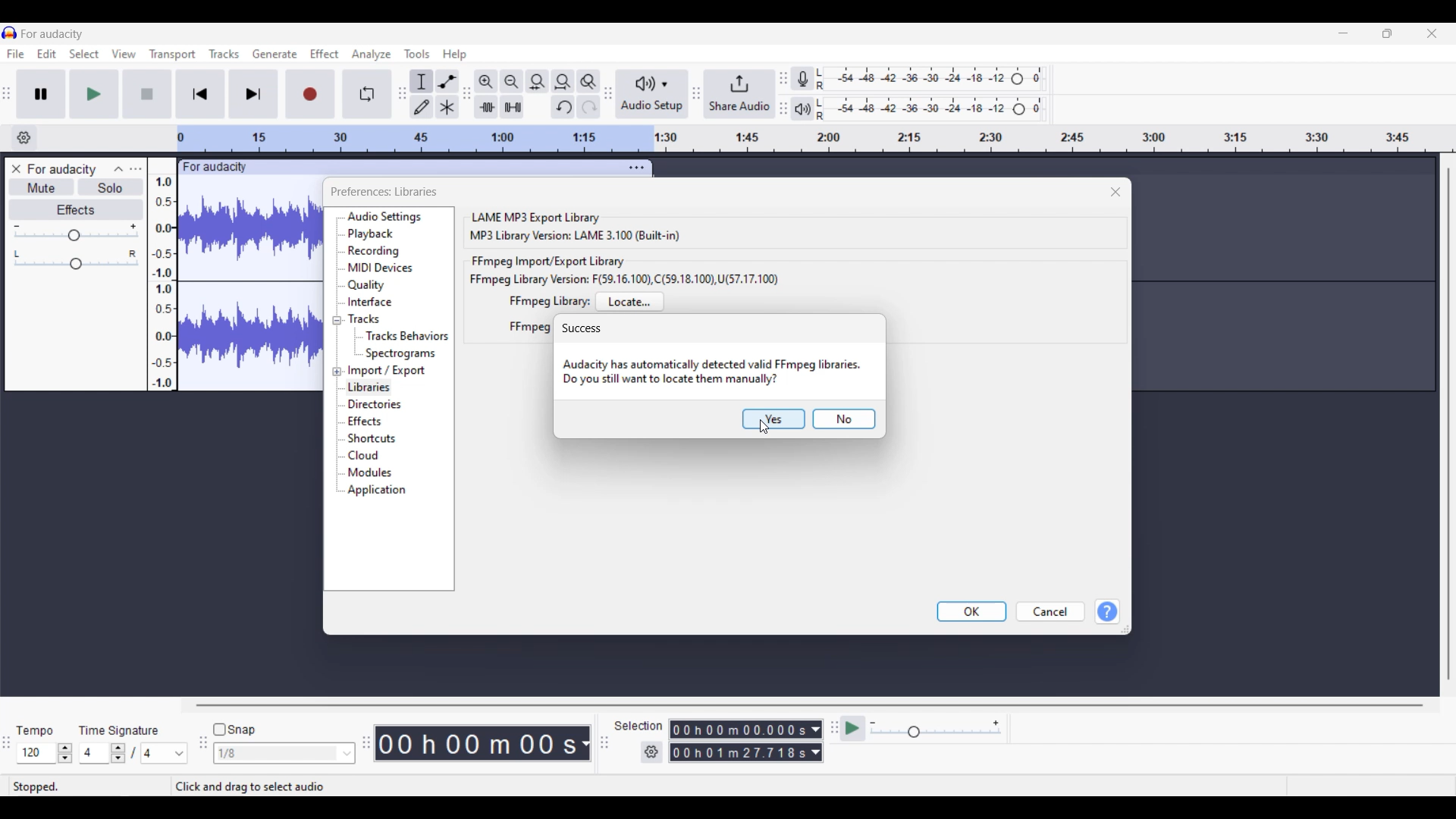 The width and height of the screenshot is (1456, 819). Describe the element at coordinates (852, 727) in the screenshot. I see `play at speed` at that location.